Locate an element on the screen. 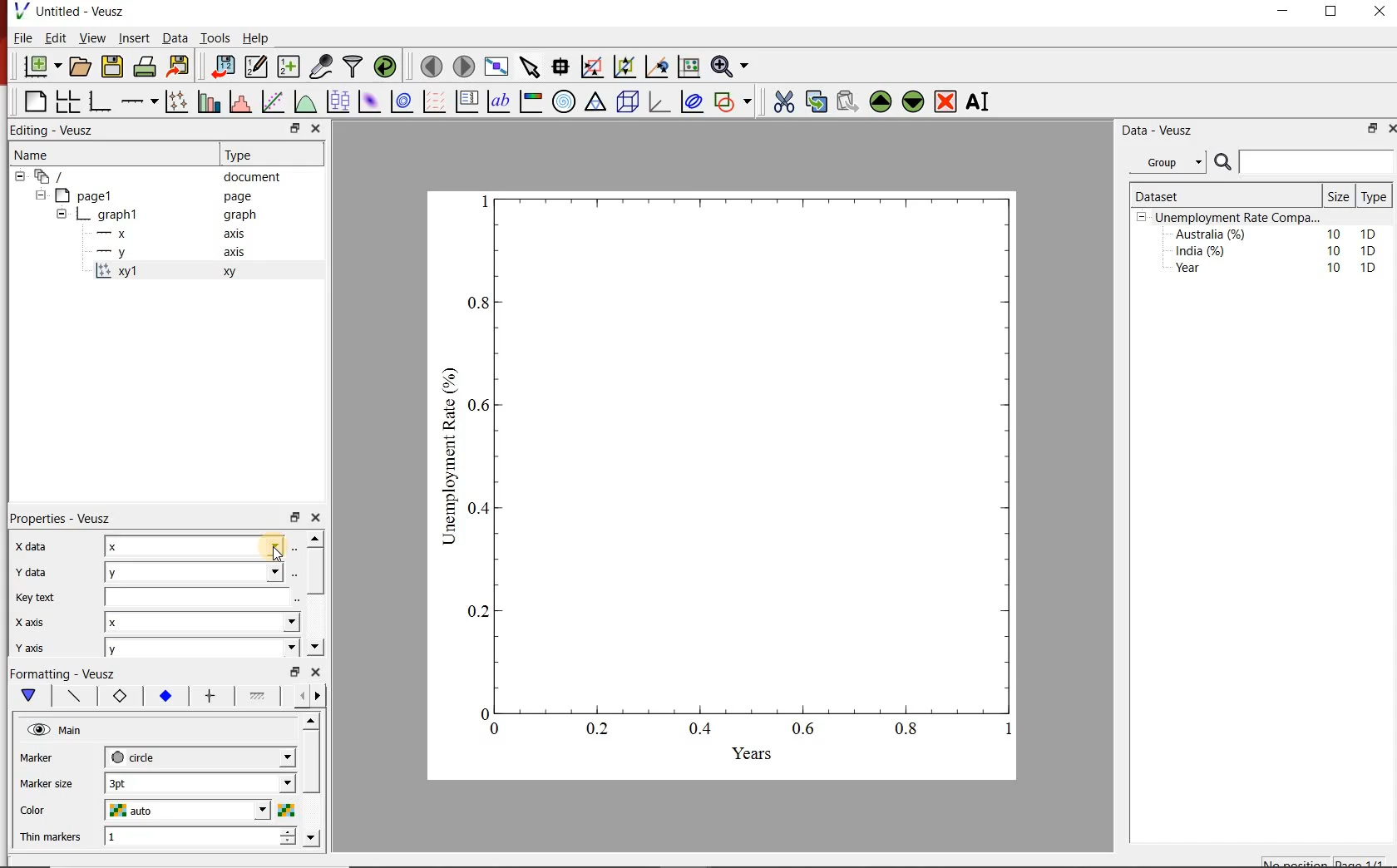 This screenshot has height=868, width=1397. Editing - Veusz is located at coordinates (55, 129).